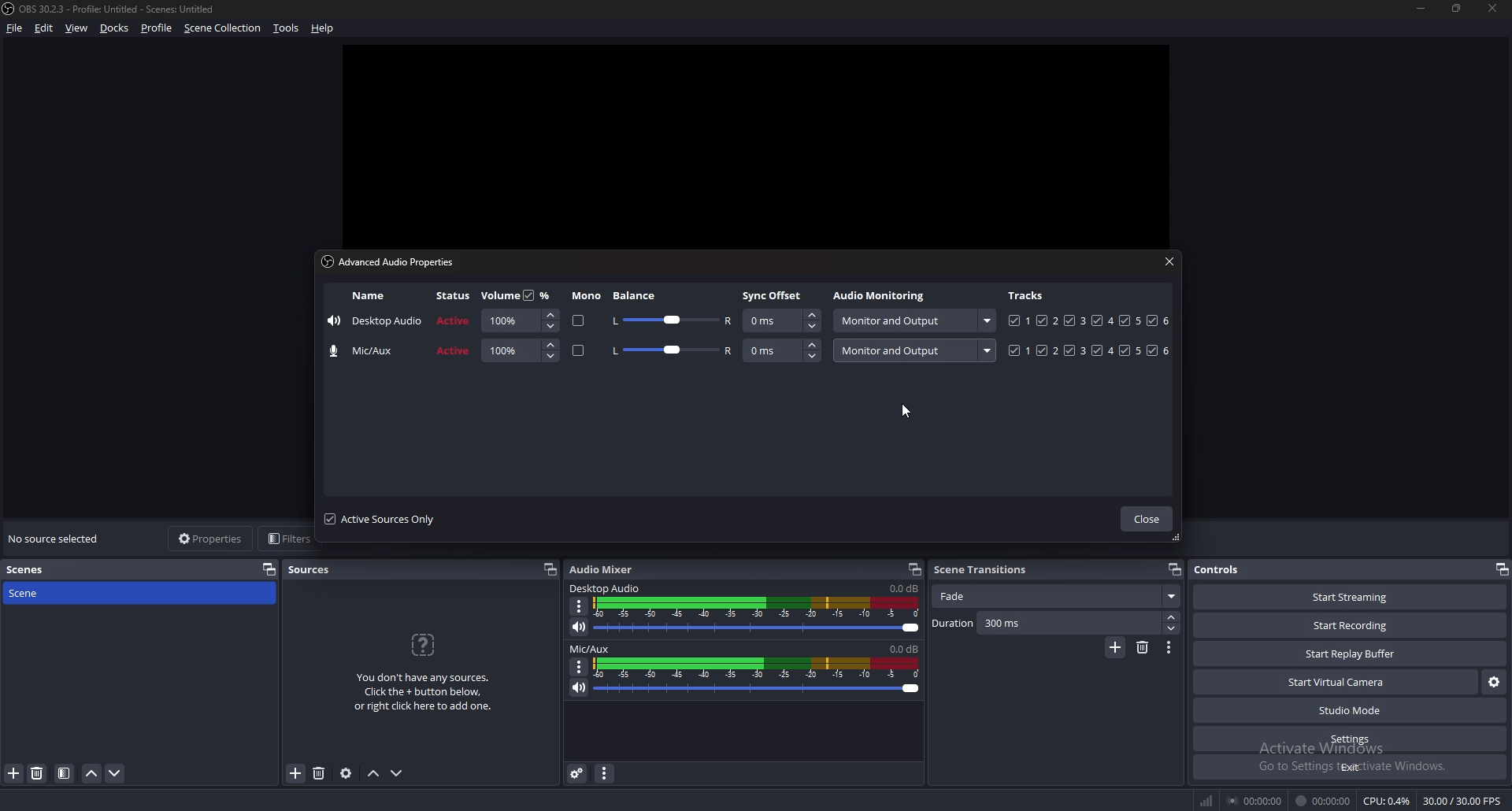 This screenshot has width=1512, height=811. I want to click on popout, so click(915, 569).